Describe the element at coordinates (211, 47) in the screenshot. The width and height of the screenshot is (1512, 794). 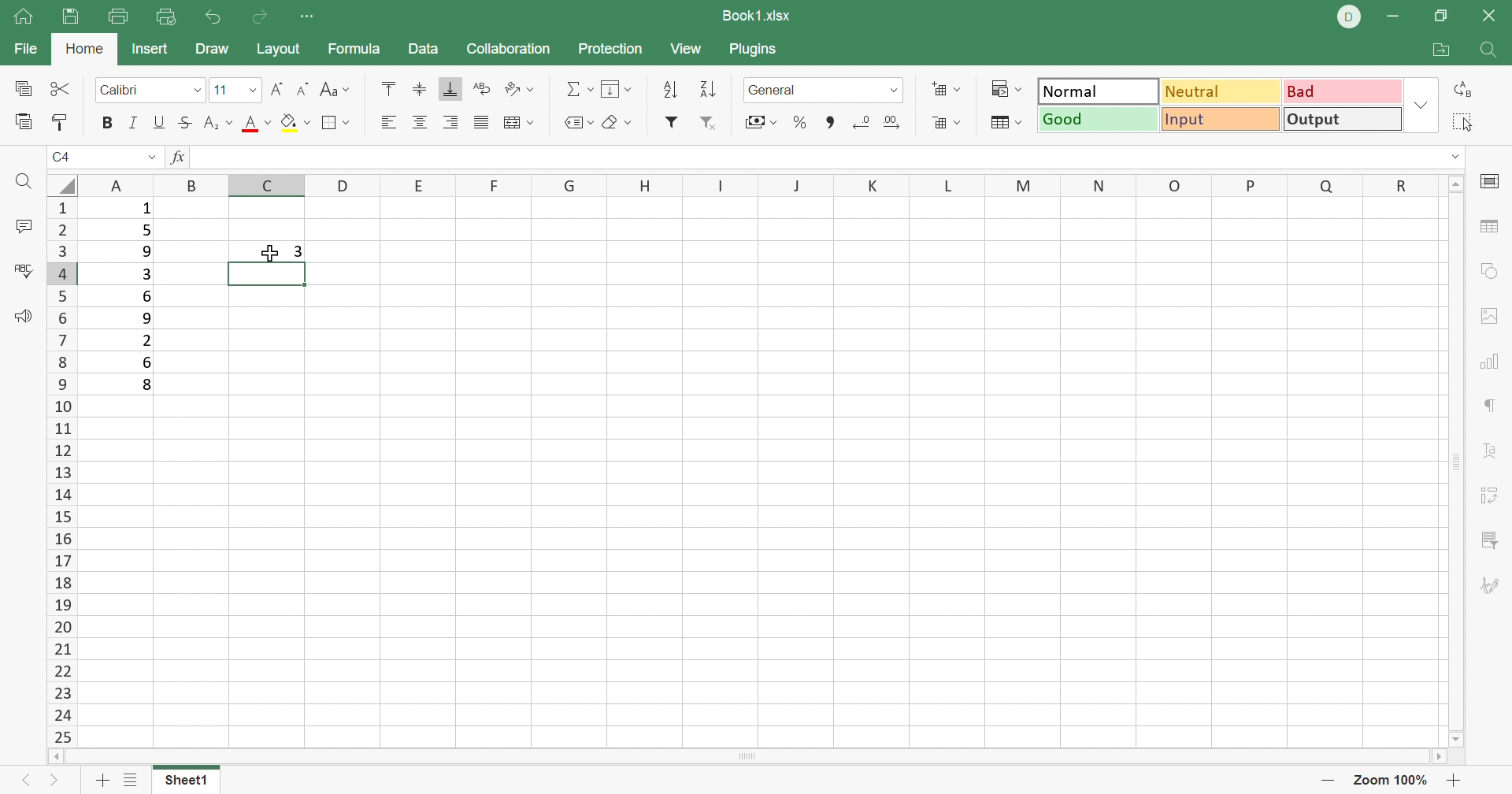
I see `Draw` at that location.